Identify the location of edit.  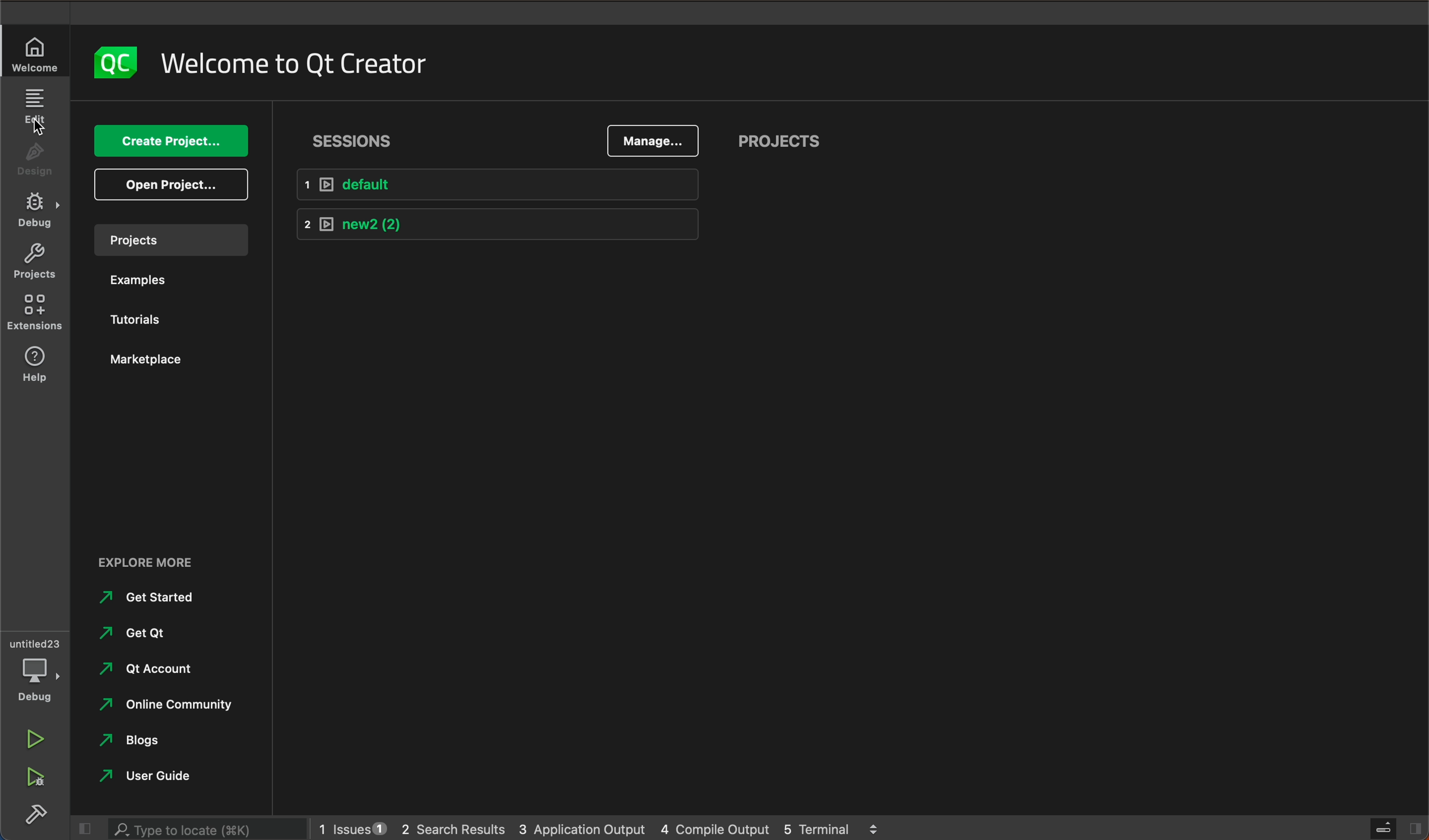
(36, 109).